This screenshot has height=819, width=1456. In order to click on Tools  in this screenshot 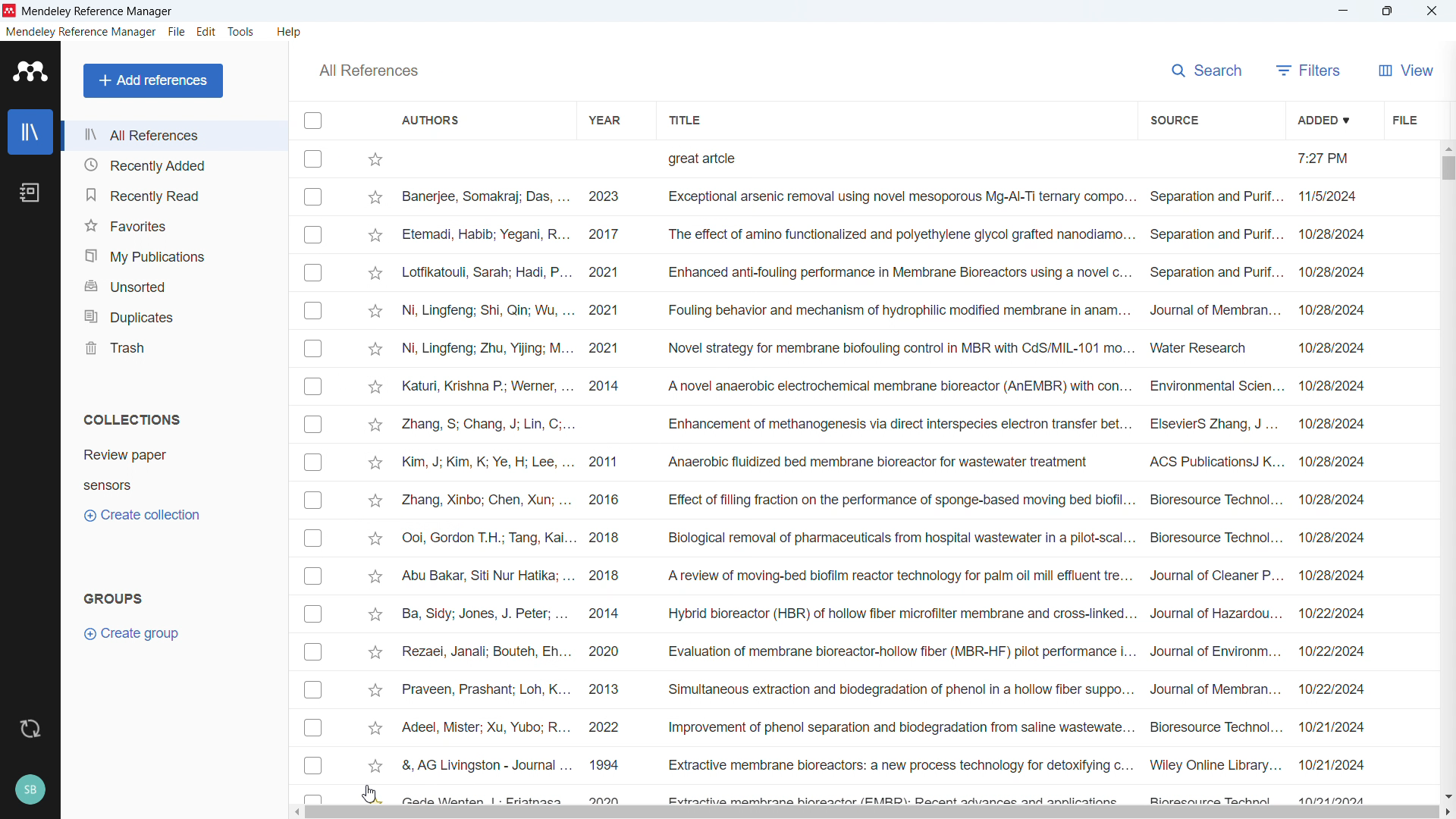, I will do `click(241, 32)`.